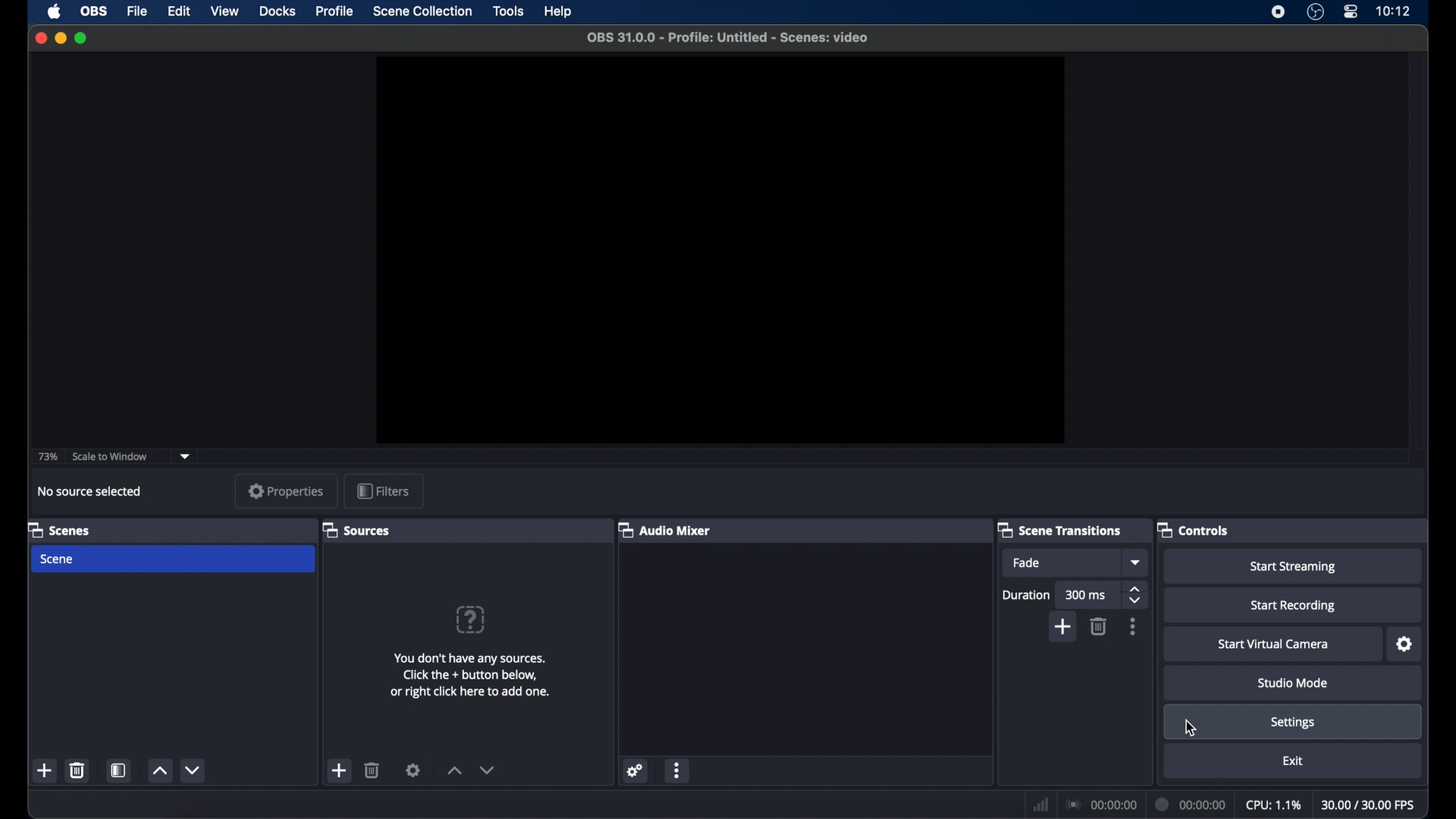 The height and width of the screenshot is (819, 1456). What do you see at coordinates (1027, 563) in the screenshot?
I see `fade` at bounding box center [1027, 563].